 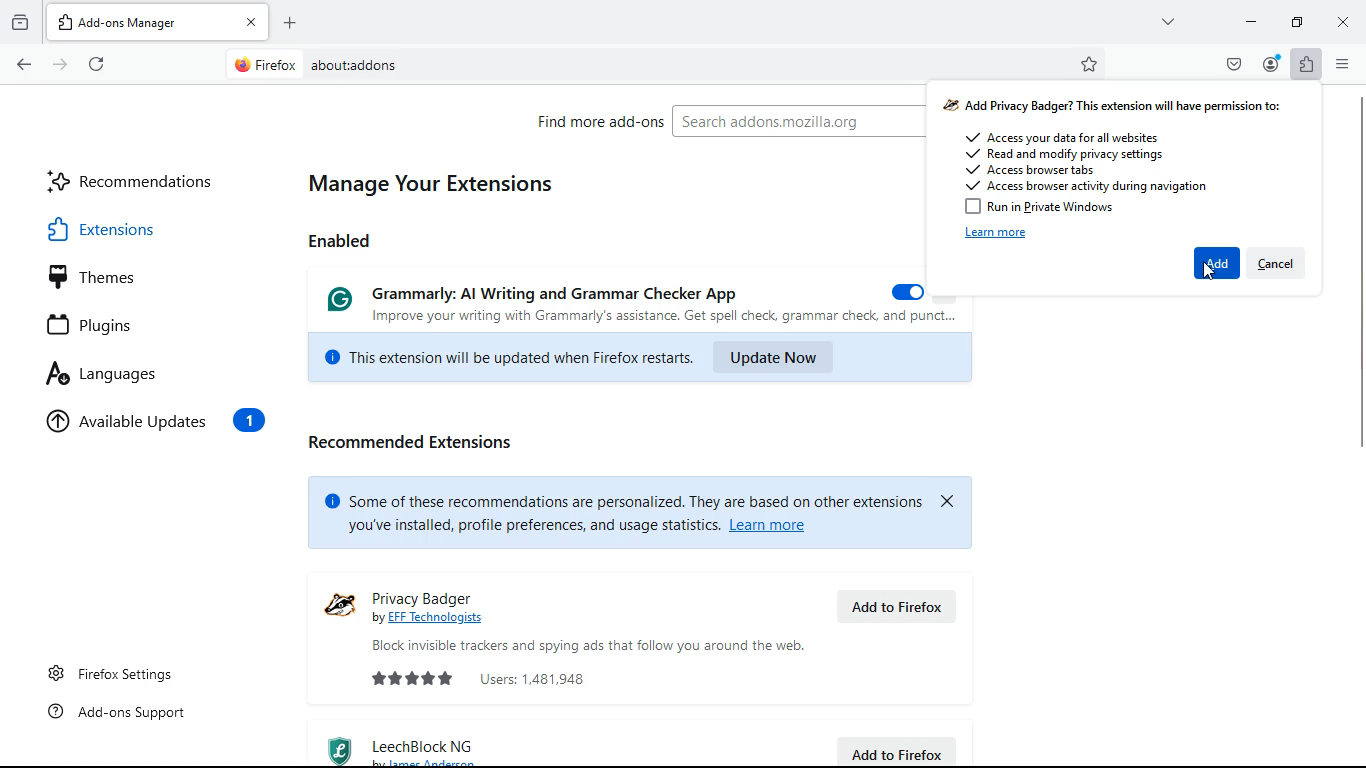 I want to click on manage your extensions, so click(x=429, y=183).